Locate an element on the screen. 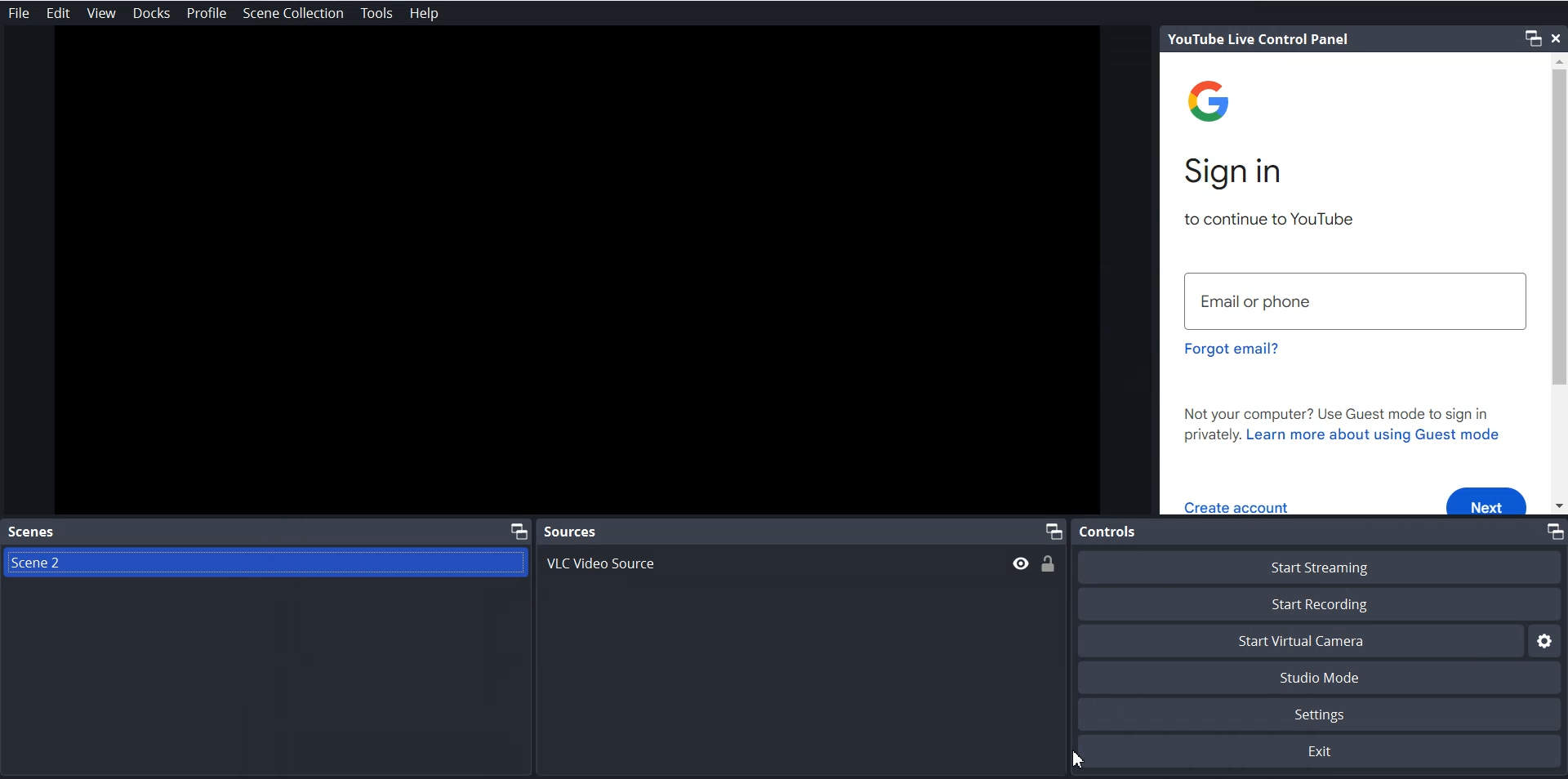 The image size is (1568, 779).  Vertical scroll bar is located at coordinates (1558, 283).